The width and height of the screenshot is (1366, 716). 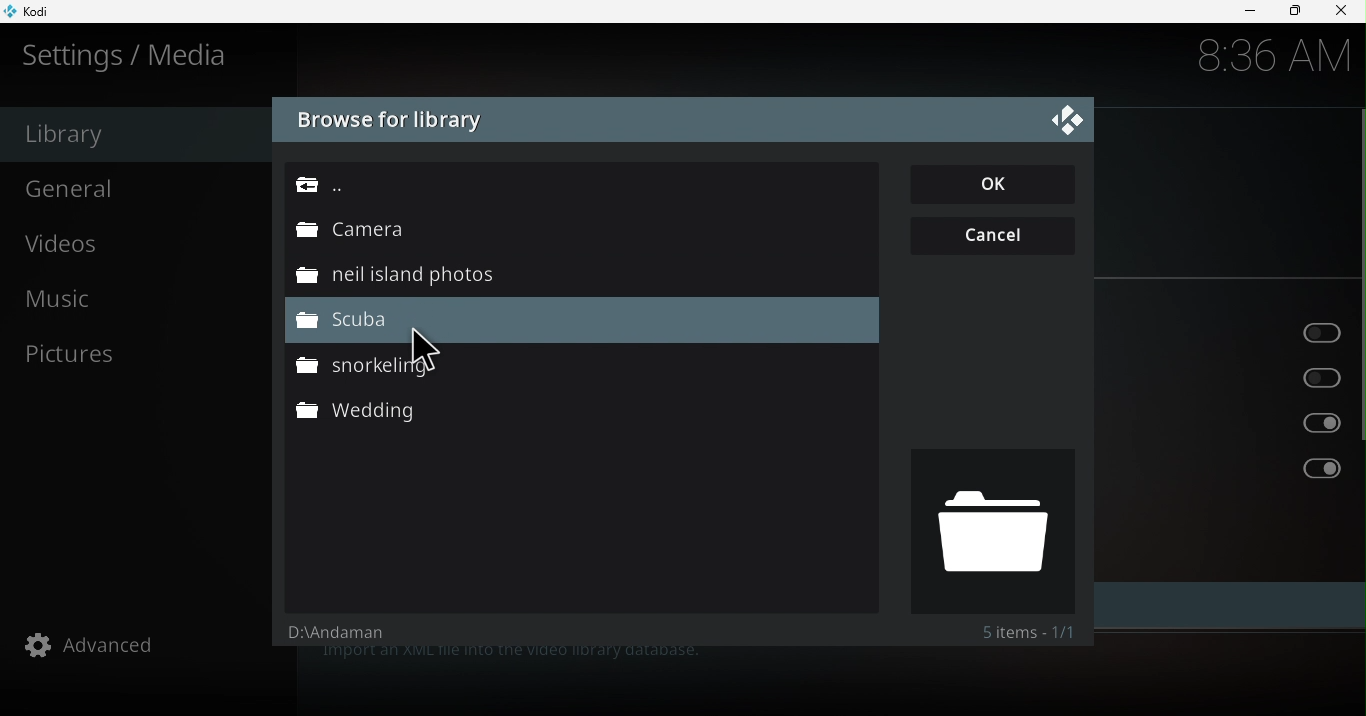 I want to click on Hide progress of library updates, so click(x=1233, y=376).